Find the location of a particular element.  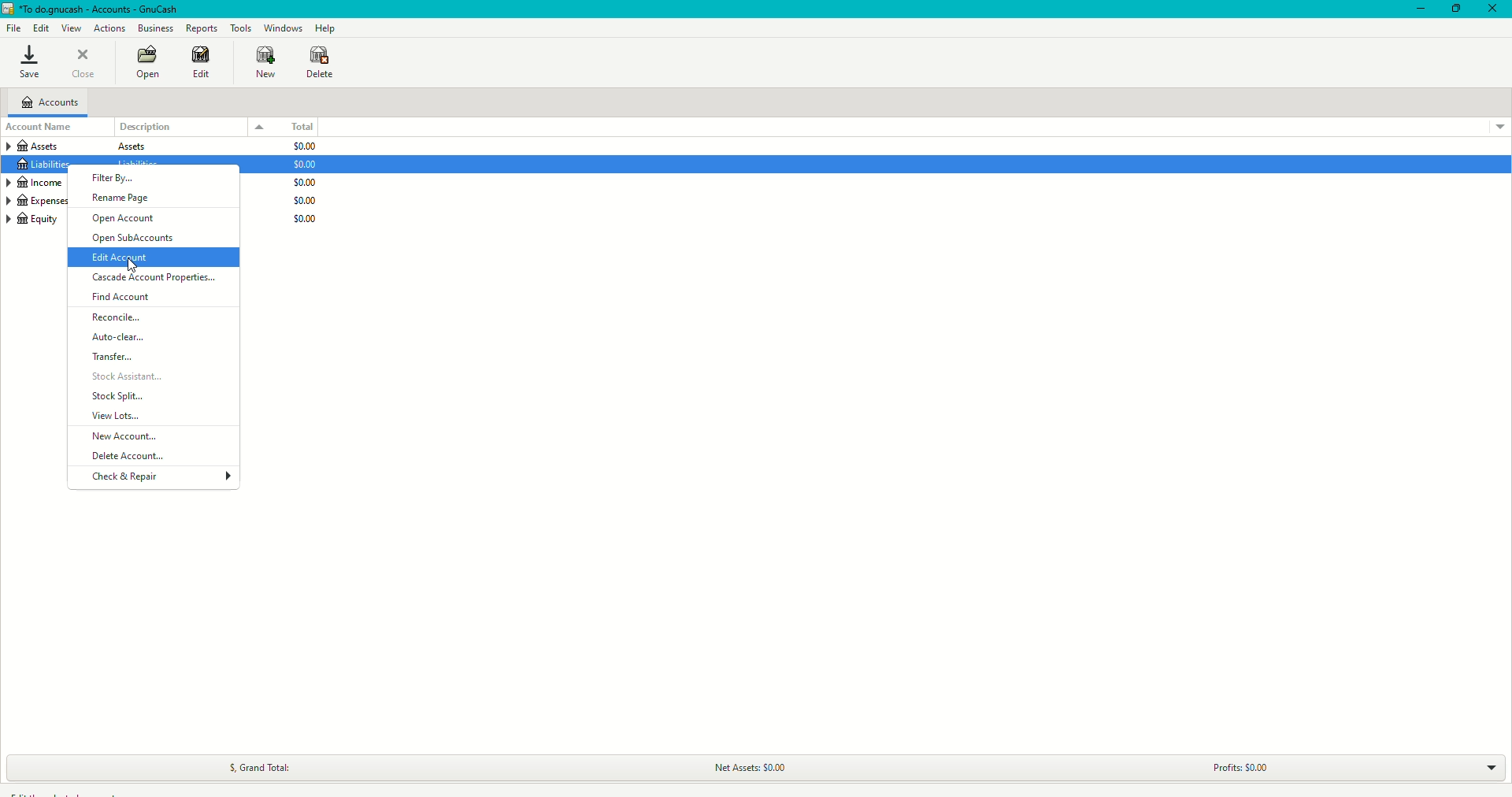

Income is located at coordinates (32, 183).